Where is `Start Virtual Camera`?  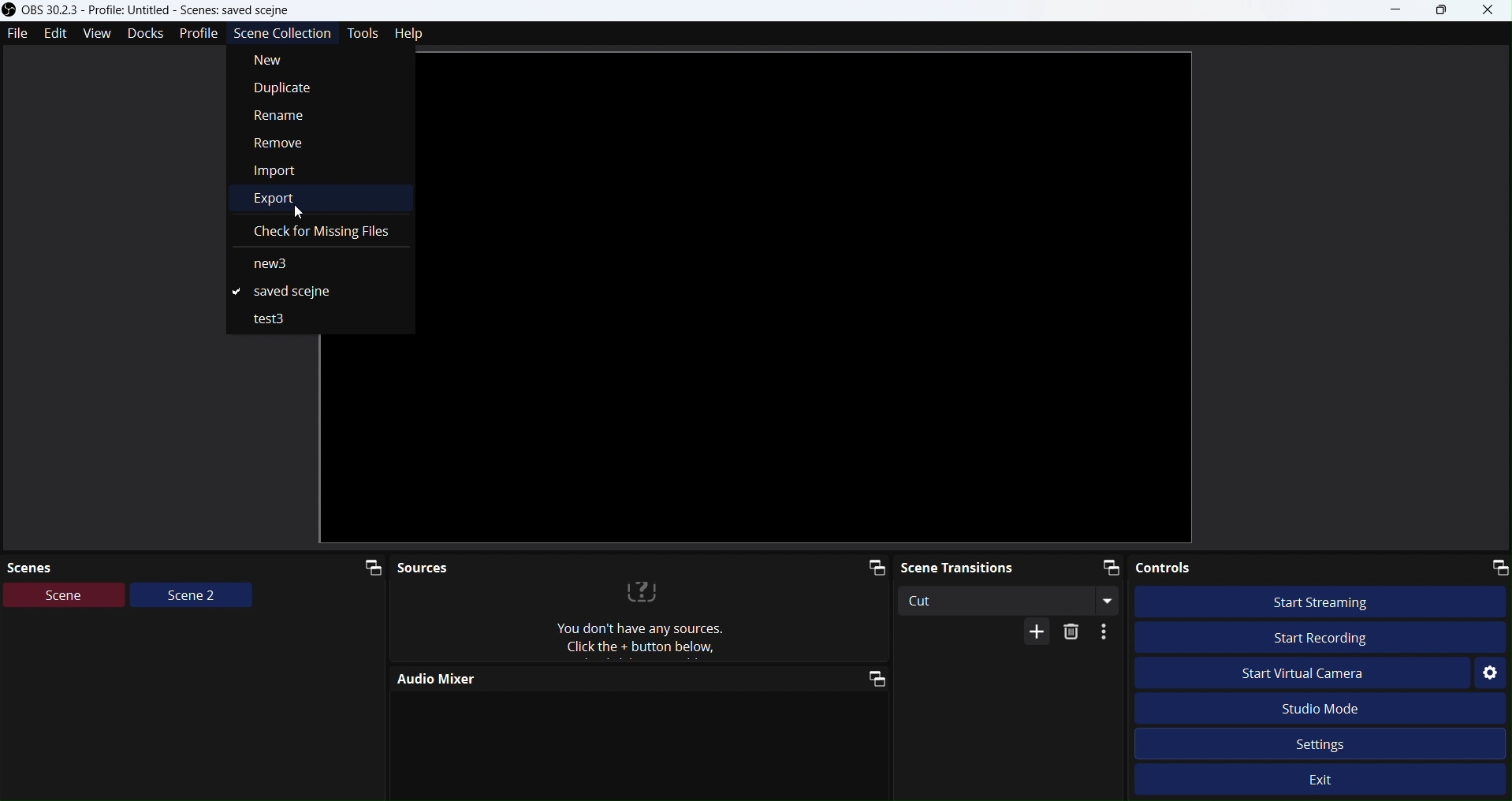
Start Virtual Camera is located at coordinates (1300, 672).